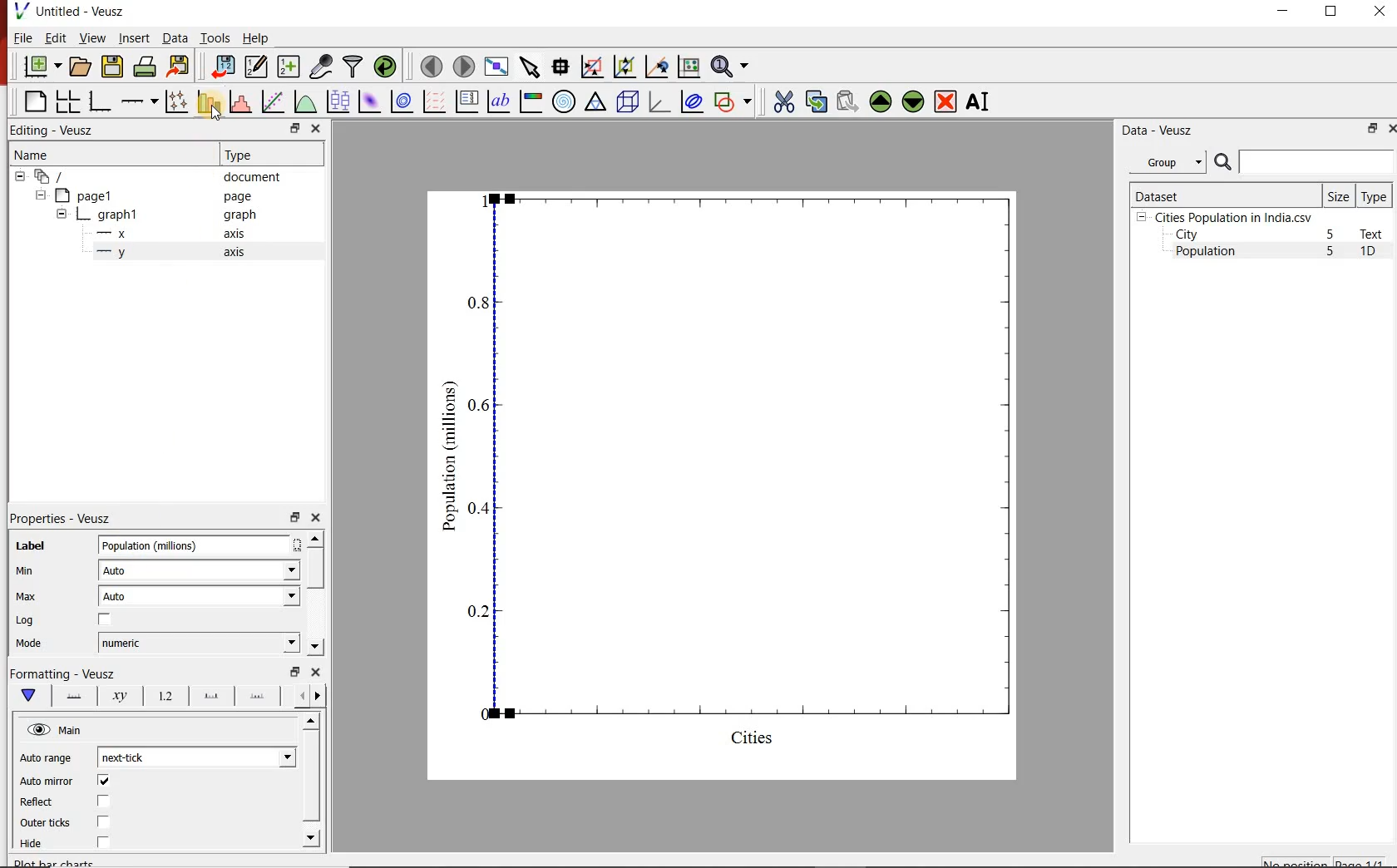 This screenshot has height=868, width=1397. Describe the element at coordinates (498, 101) in the screenshot. I see `text label` at that location.